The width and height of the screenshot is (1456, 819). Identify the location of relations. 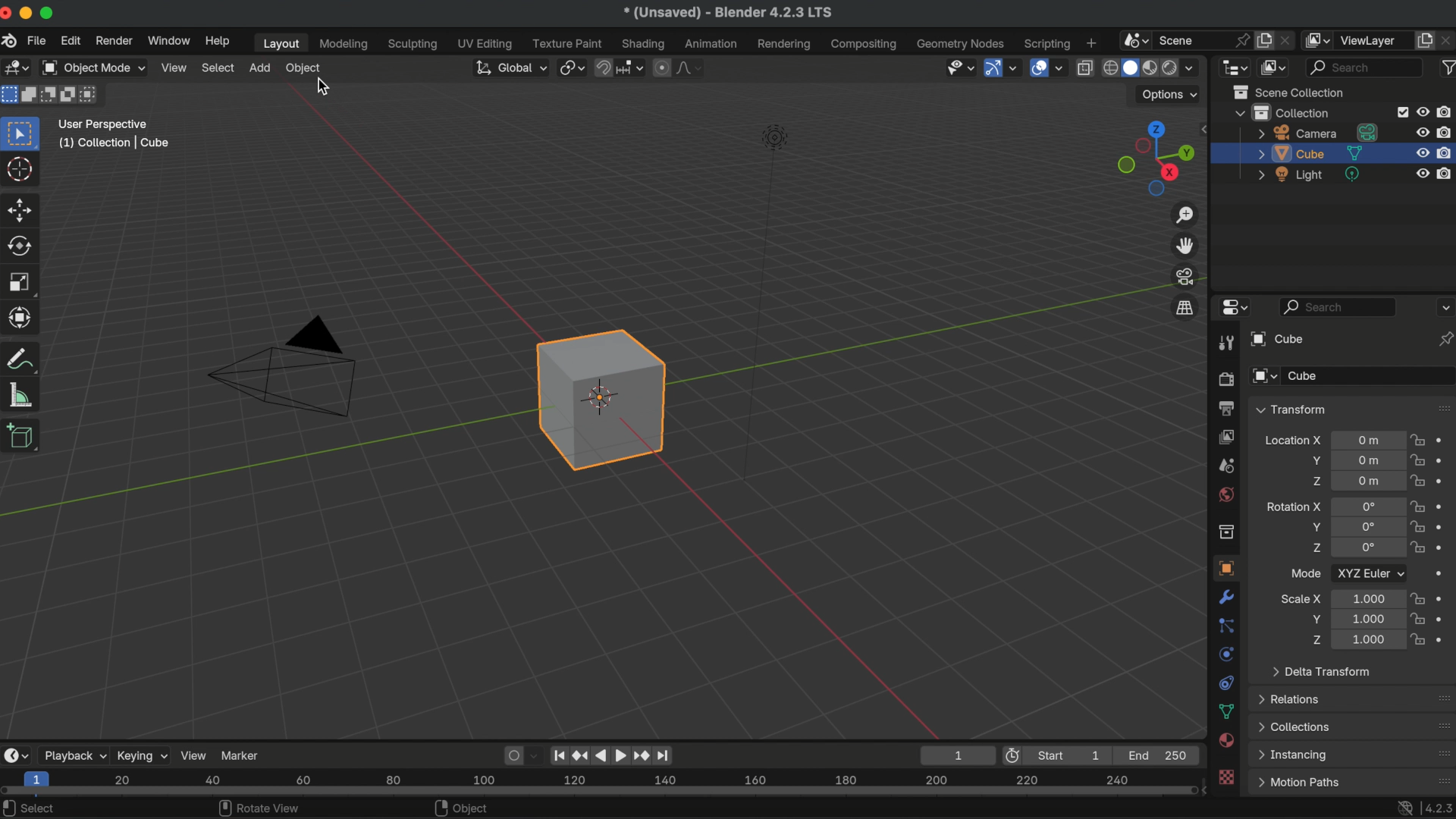
(1292, 698).